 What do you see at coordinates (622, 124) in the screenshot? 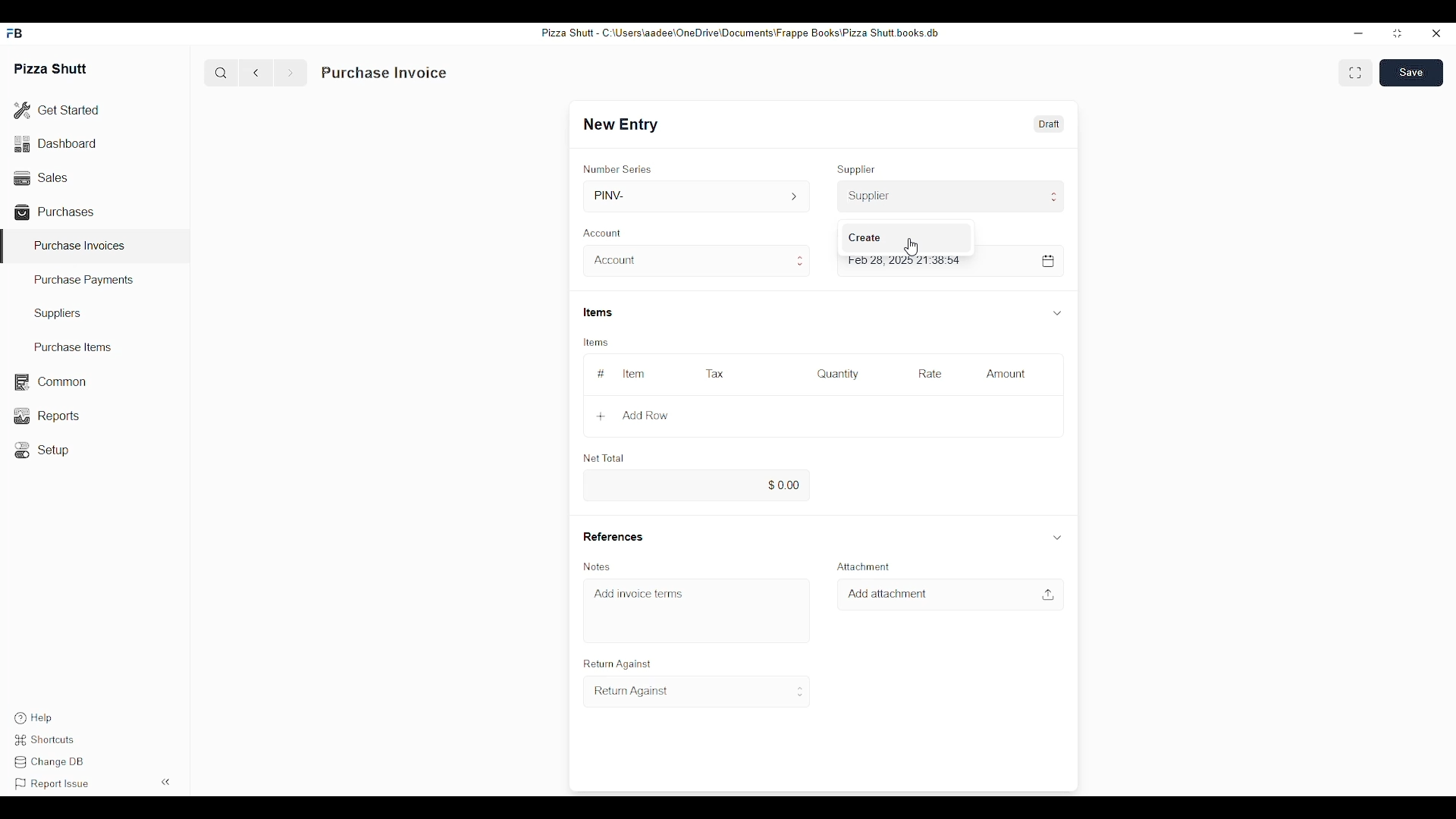
I see `New Entry` at bounding box center [622, 124].